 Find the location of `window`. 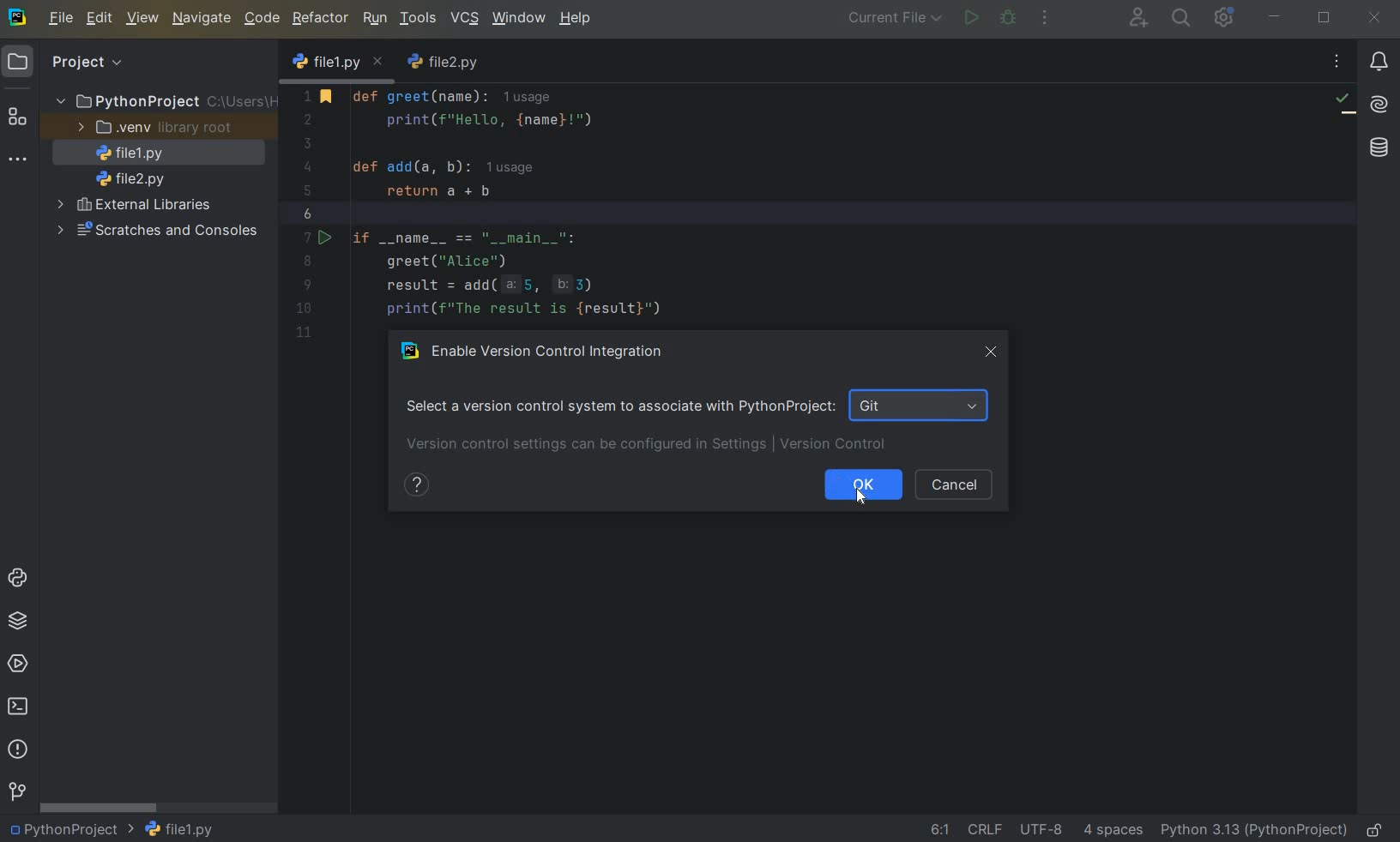

window is located at coordinates (517, 18).